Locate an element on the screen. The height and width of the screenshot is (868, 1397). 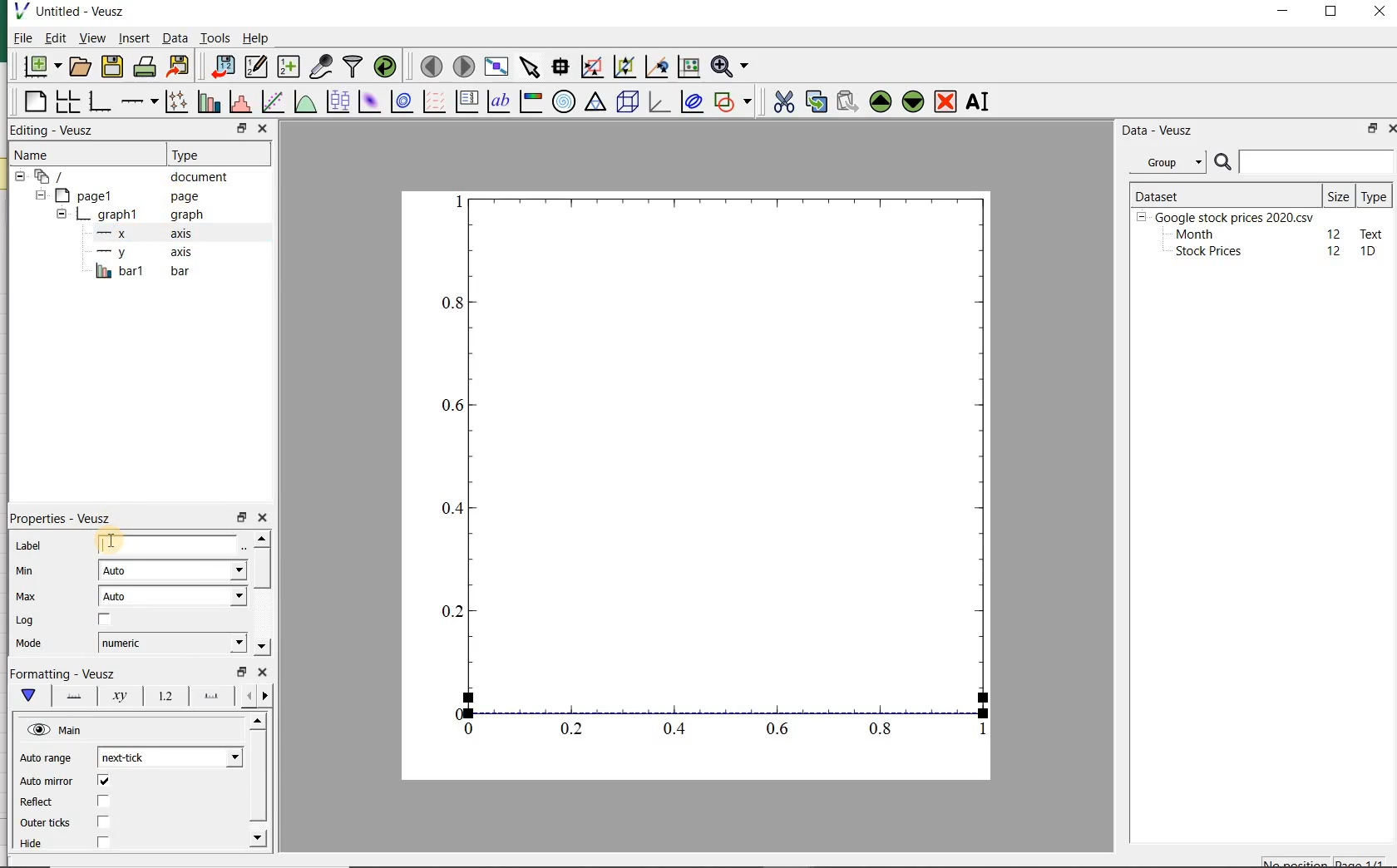
major ticks is located at coordinates (209, 696).